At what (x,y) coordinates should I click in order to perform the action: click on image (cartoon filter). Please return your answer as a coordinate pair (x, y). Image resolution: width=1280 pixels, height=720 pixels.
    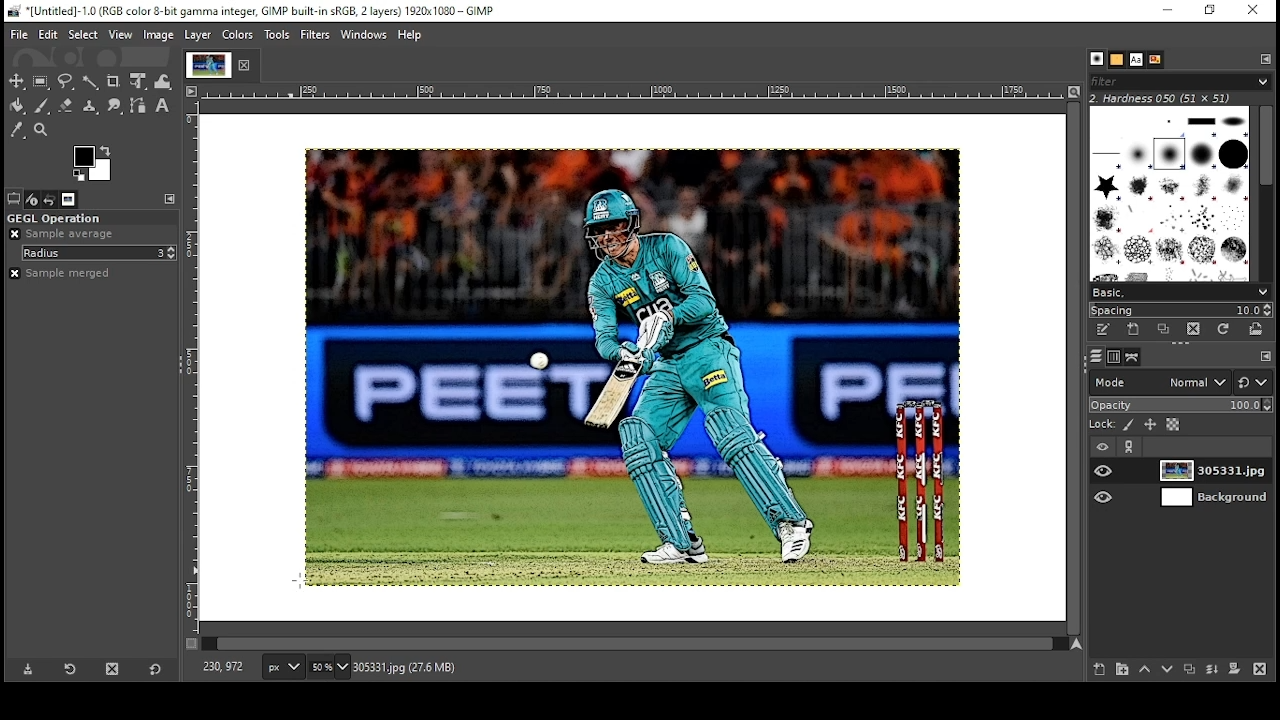
    Looking at the image, I should click on (631, 369).